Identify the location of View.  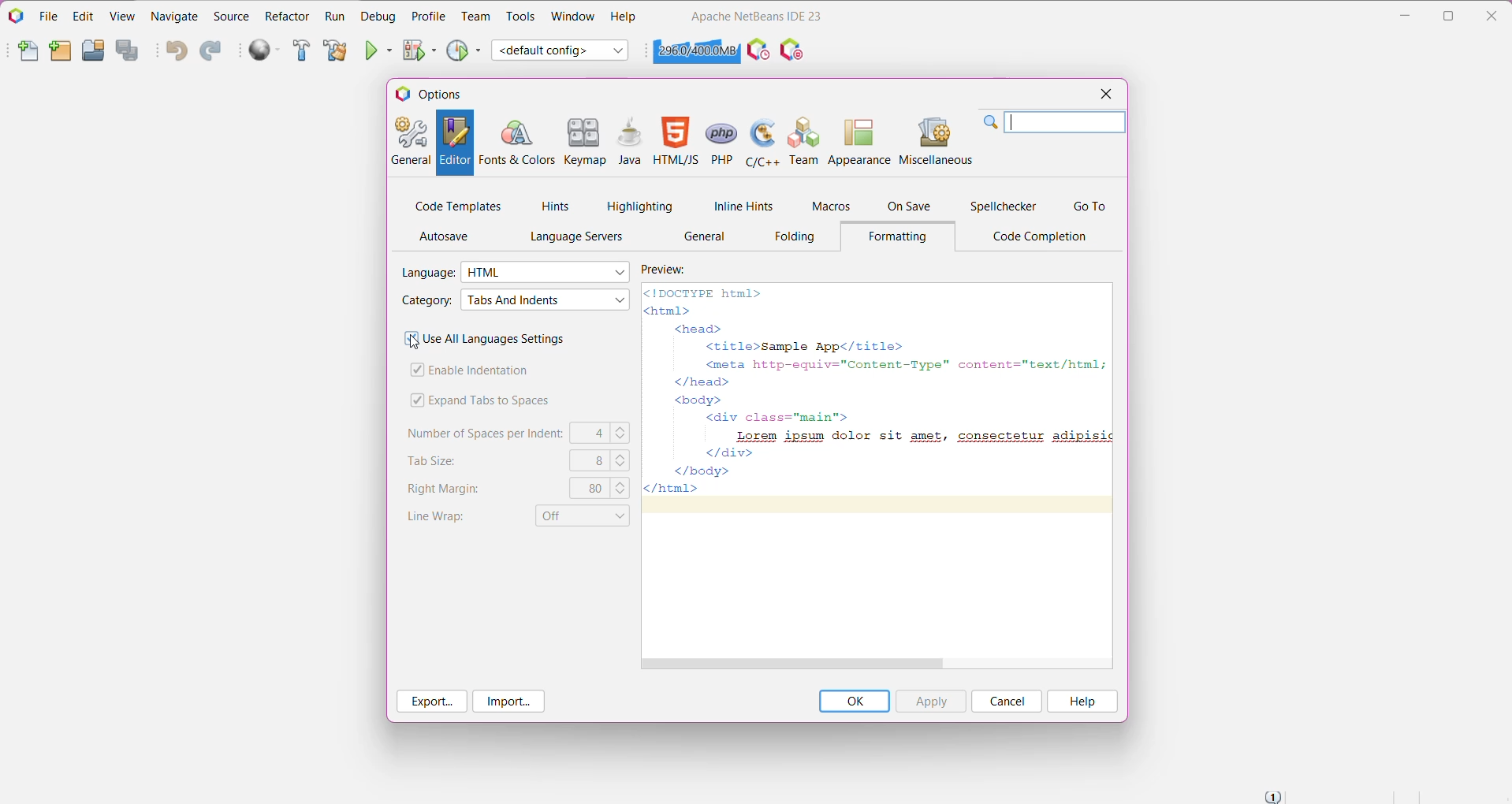
(124, 15).